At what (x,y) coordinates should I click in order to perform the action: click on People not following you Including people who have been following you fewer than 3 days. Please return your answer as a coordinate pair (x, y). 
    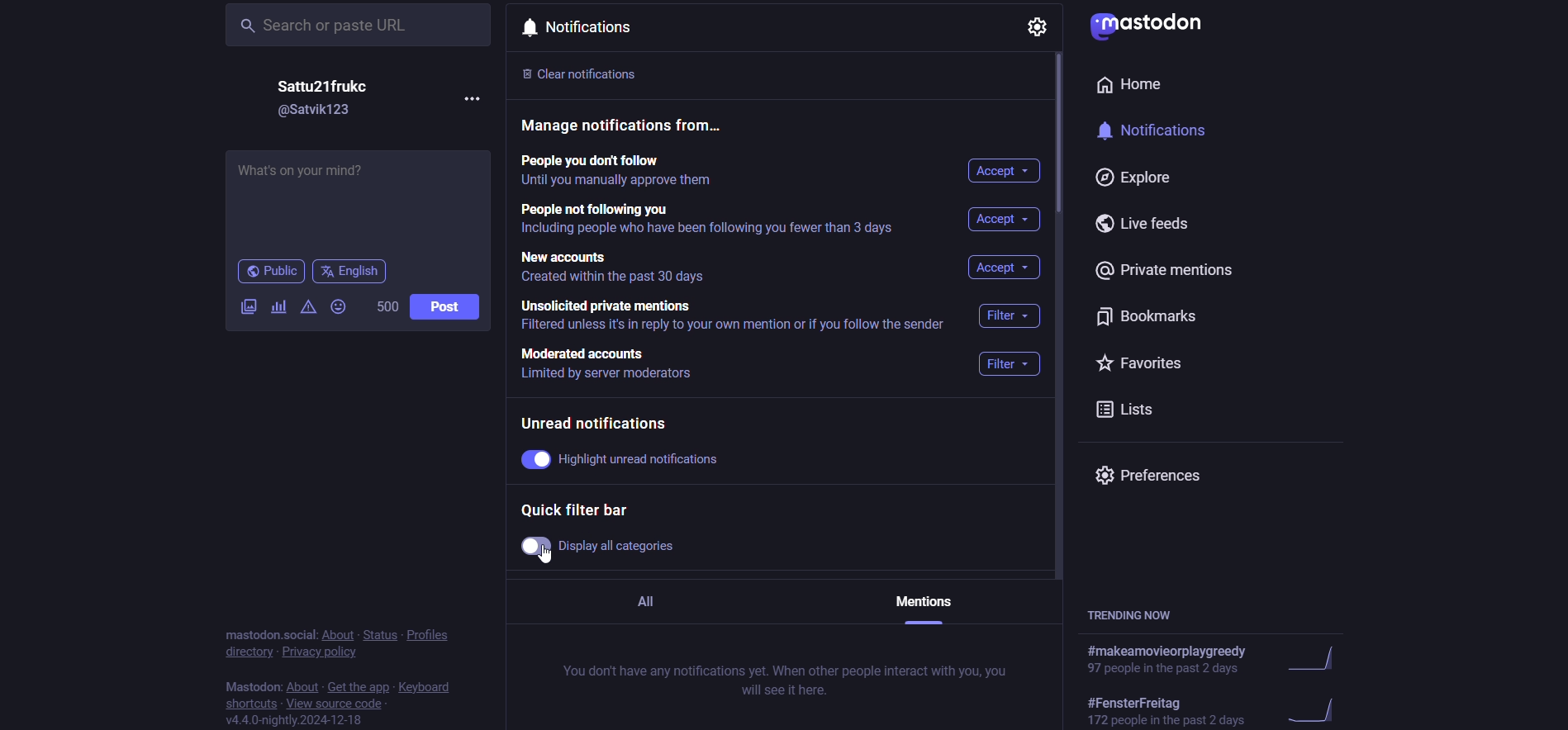
    Looking at the image, I should click on (712, 221).